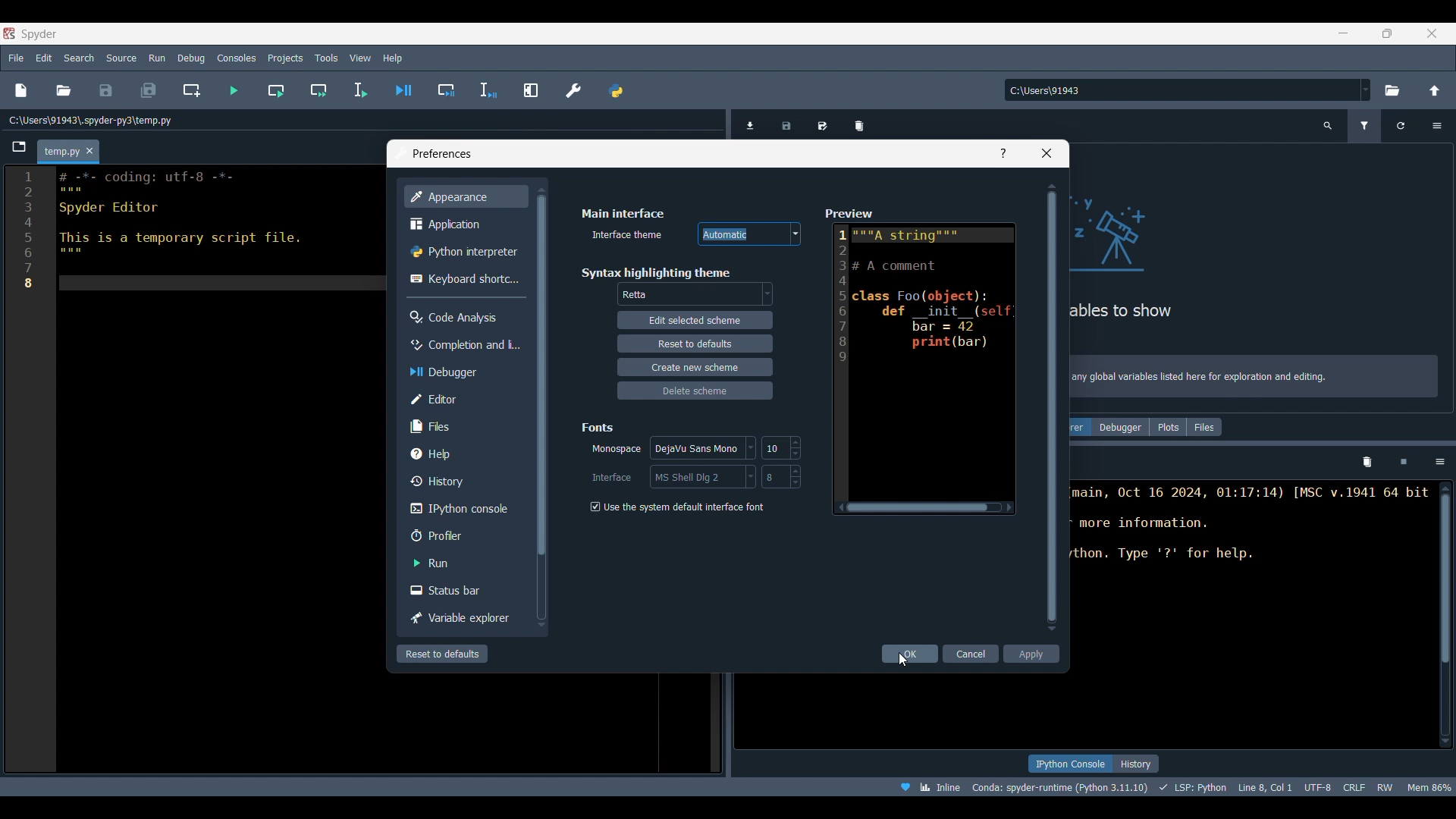 Image resolution: width=1456 pixels, height=819 pixels. Describe the element at coordinates (903, 661) in the screenshot. I see `Cursor clicking on Apply` at that location.